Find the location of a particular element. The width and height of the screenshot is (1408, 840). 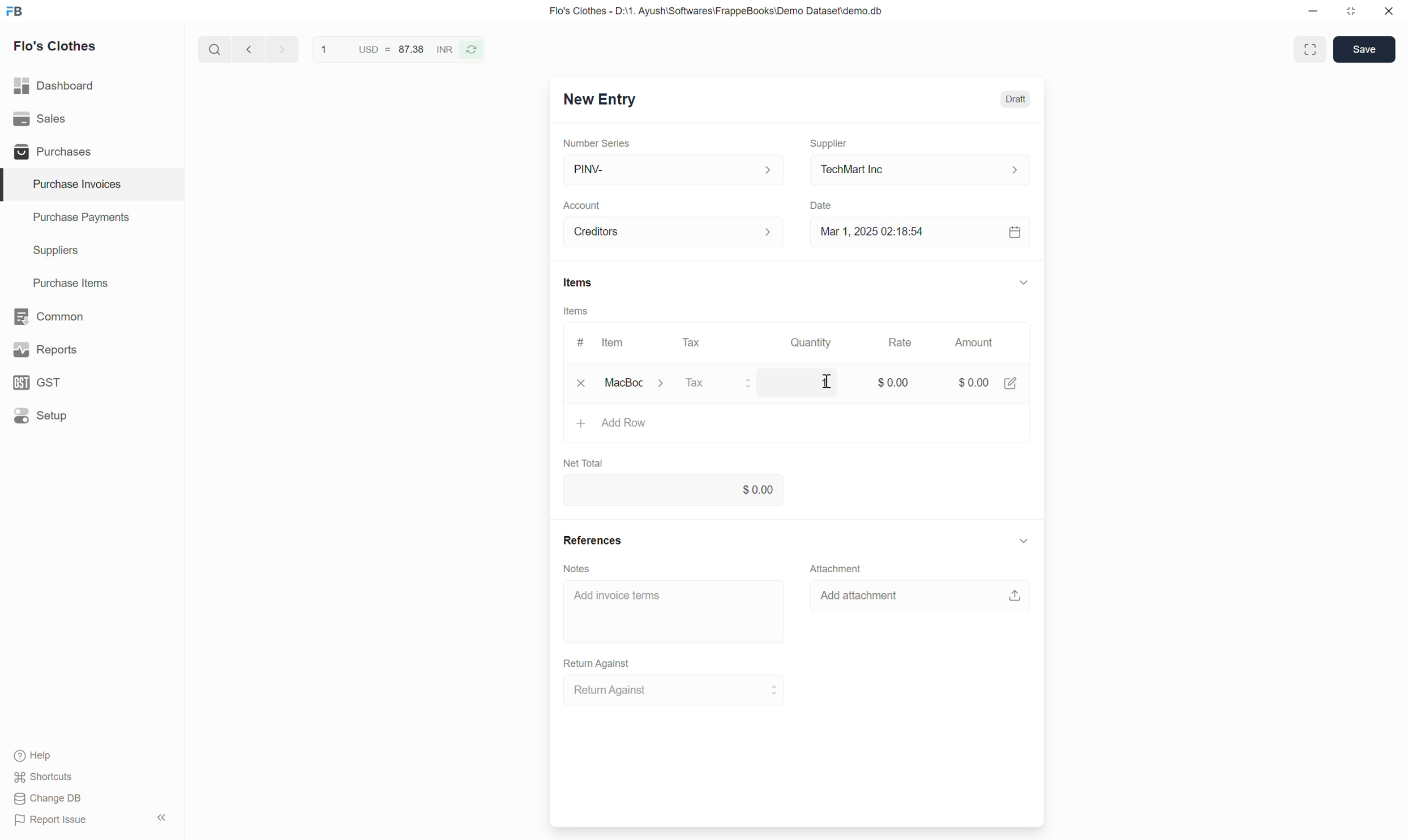

Return Against is located at coordinates (675, 690).